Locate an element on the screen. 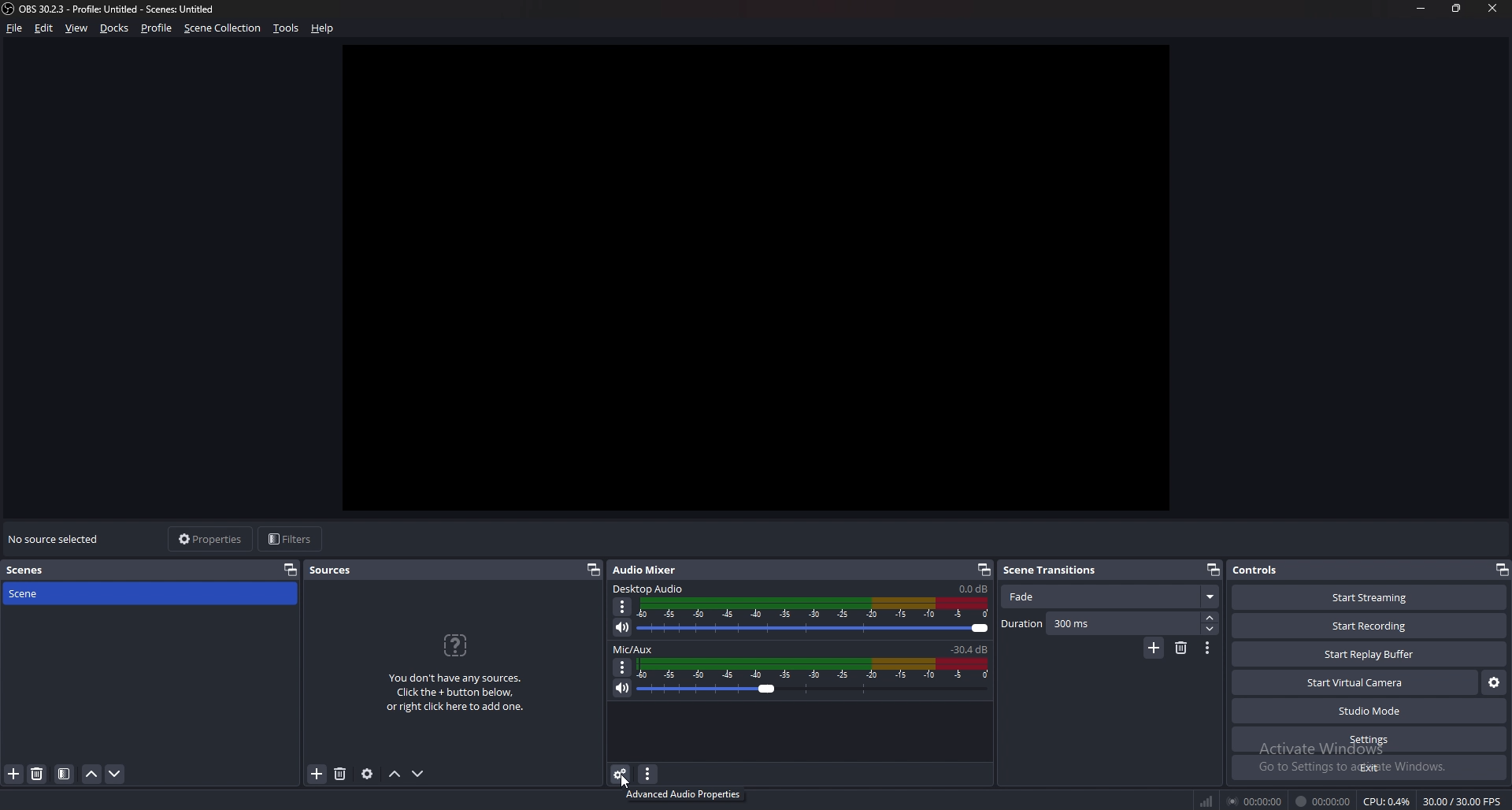 This screenshot has height=810, width=1512. mic/aux is located at coordinates (636, 648).